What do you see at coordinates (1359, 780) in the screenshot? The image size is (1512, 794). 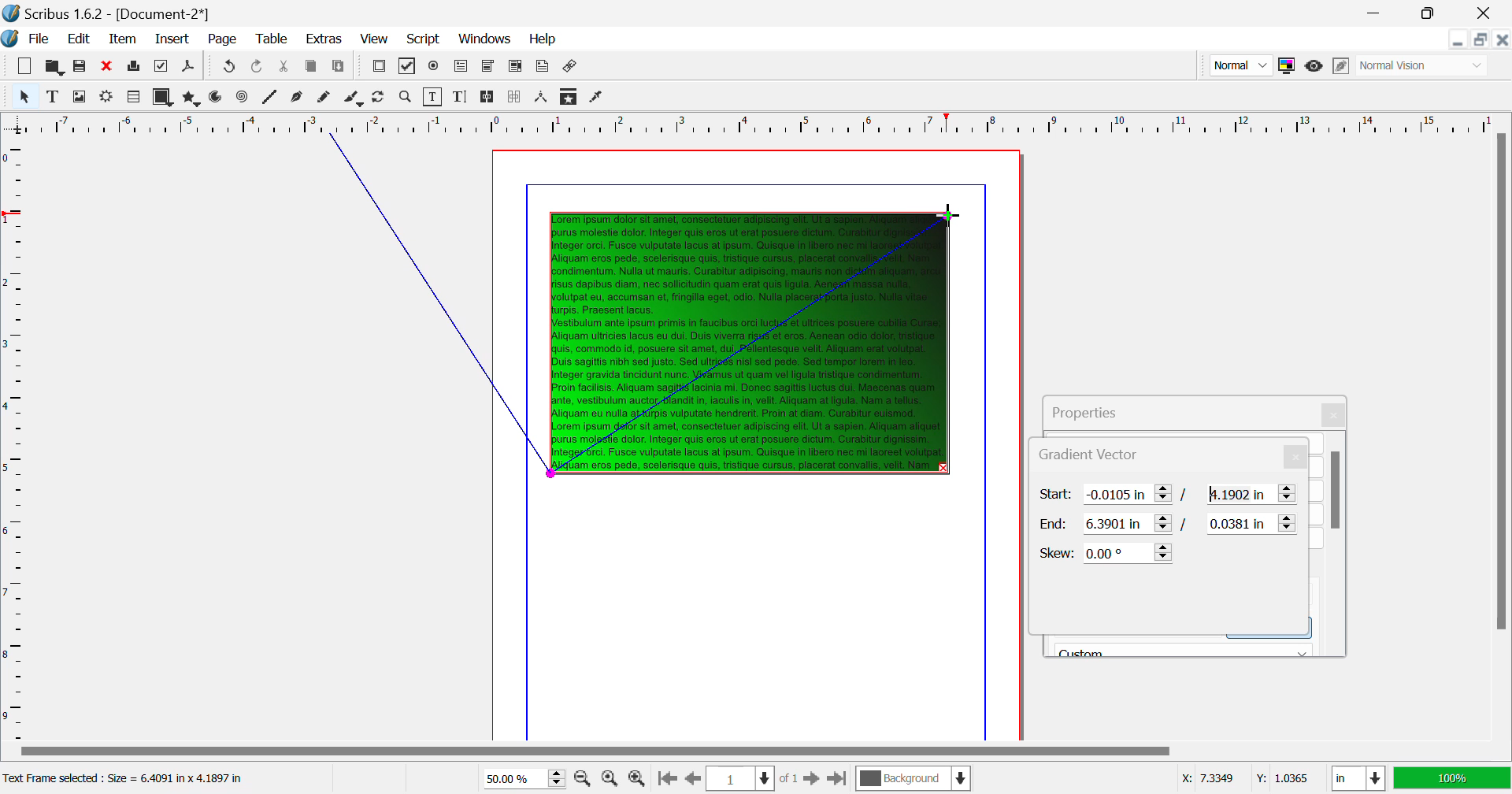 I see `Measurement Units` at bounding box center [1359, 780].